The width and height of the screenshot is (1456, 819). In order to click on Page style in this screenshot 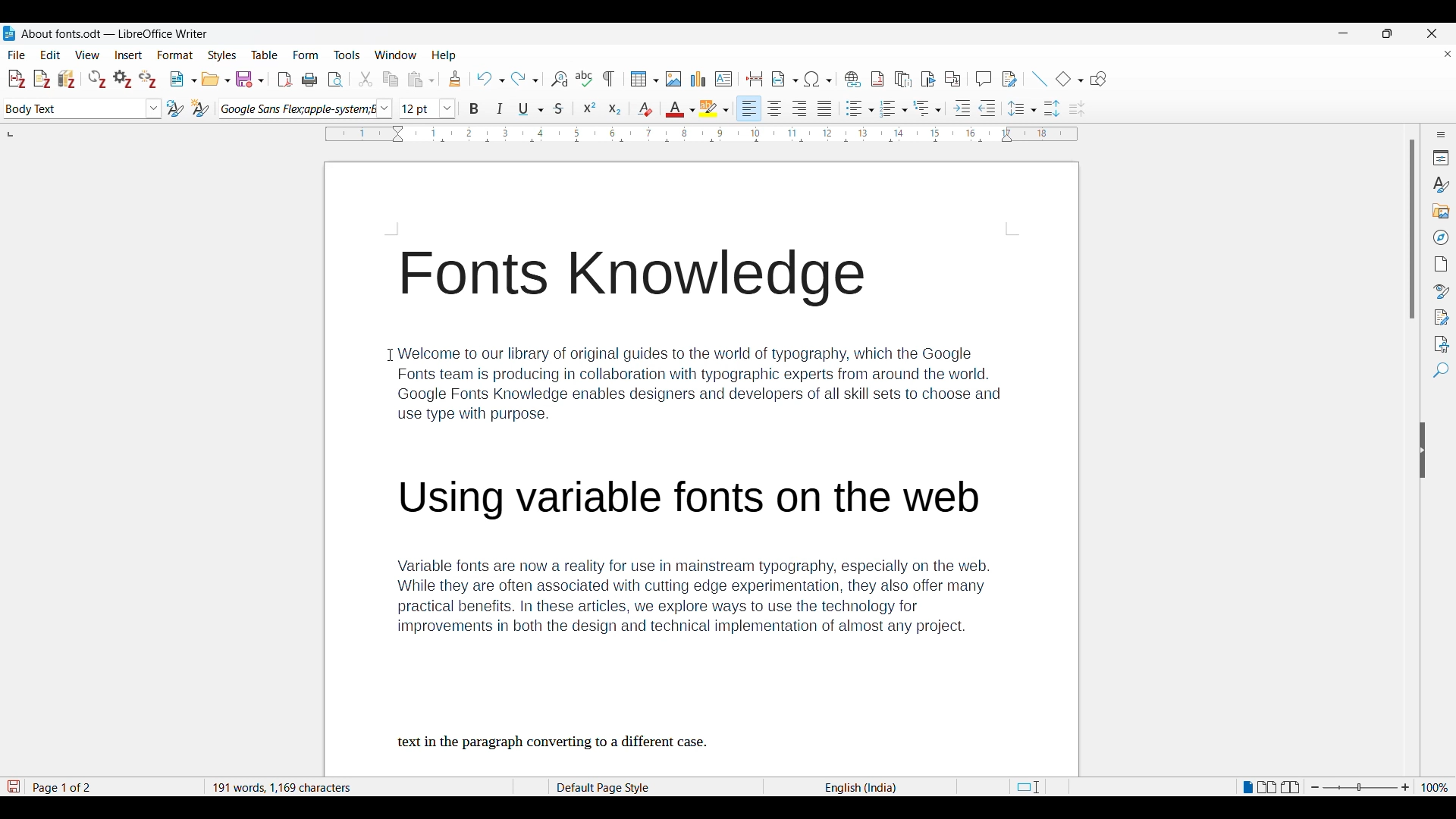, I will do `click(627, 787)`.